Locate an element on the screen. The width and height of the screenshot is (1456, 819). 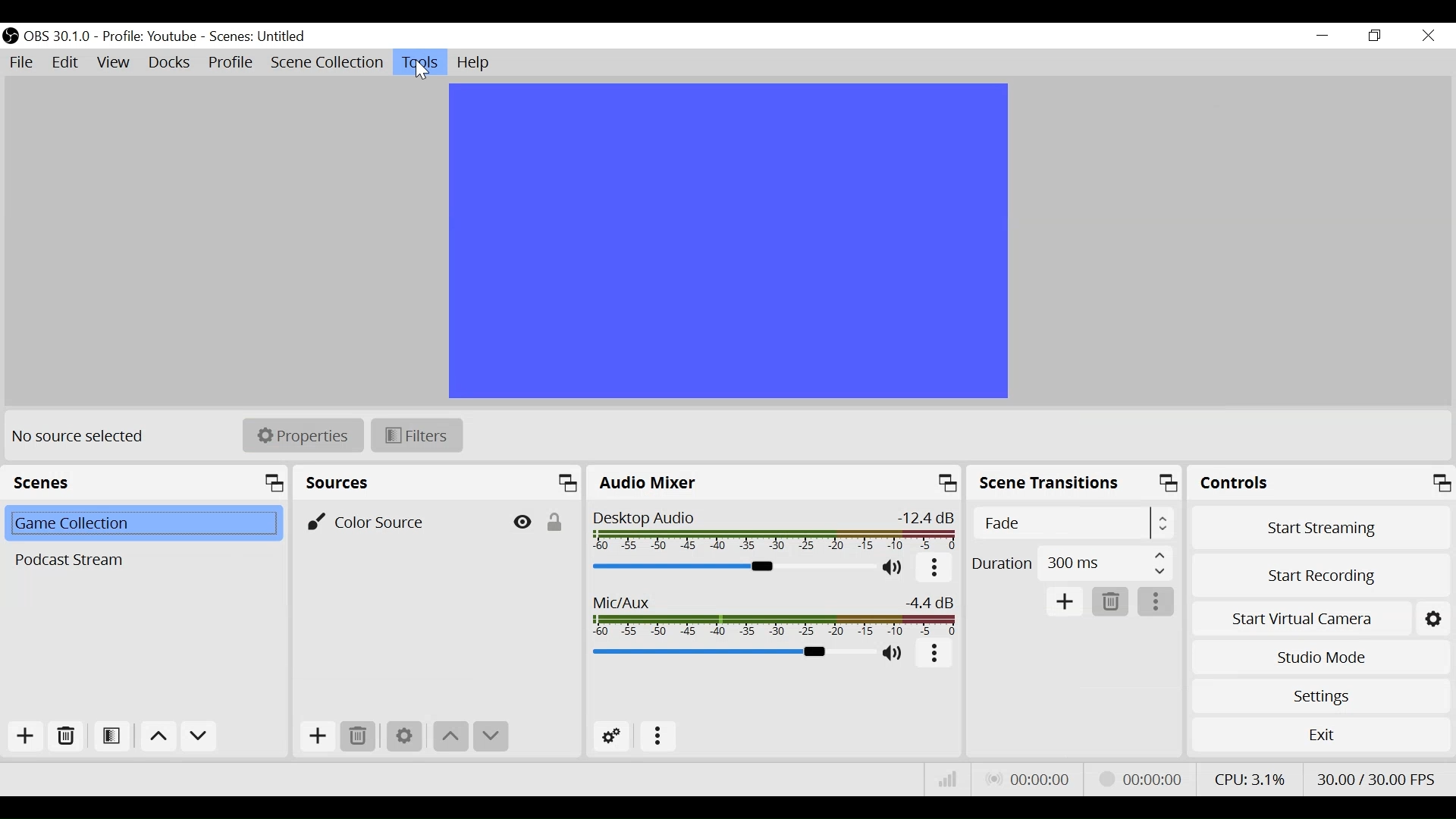
No source Selected is located at coordinates (83, 438).